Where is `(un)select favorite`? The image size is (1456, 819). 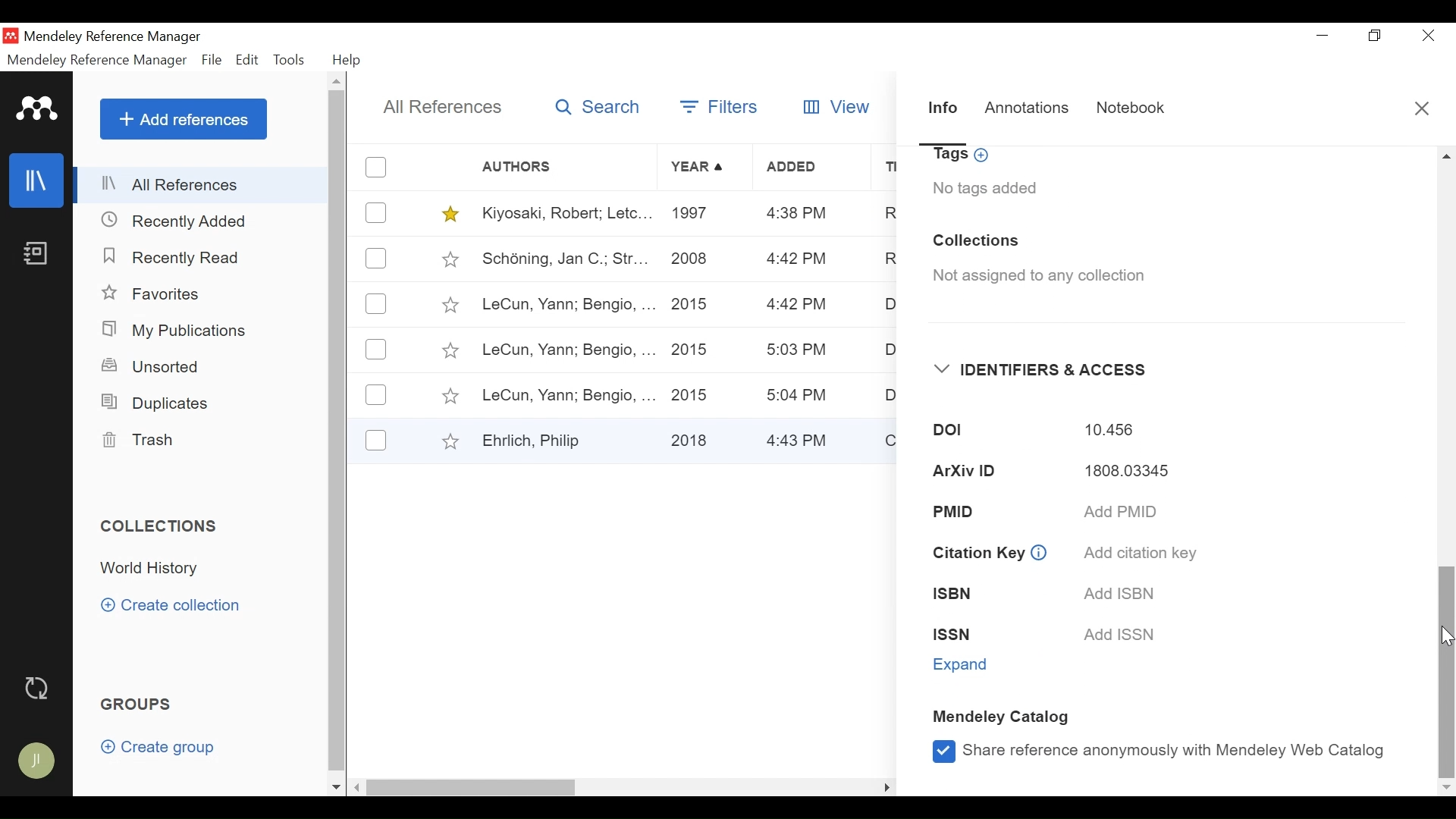 (un)select favorite is located at coordinates (448, 351).